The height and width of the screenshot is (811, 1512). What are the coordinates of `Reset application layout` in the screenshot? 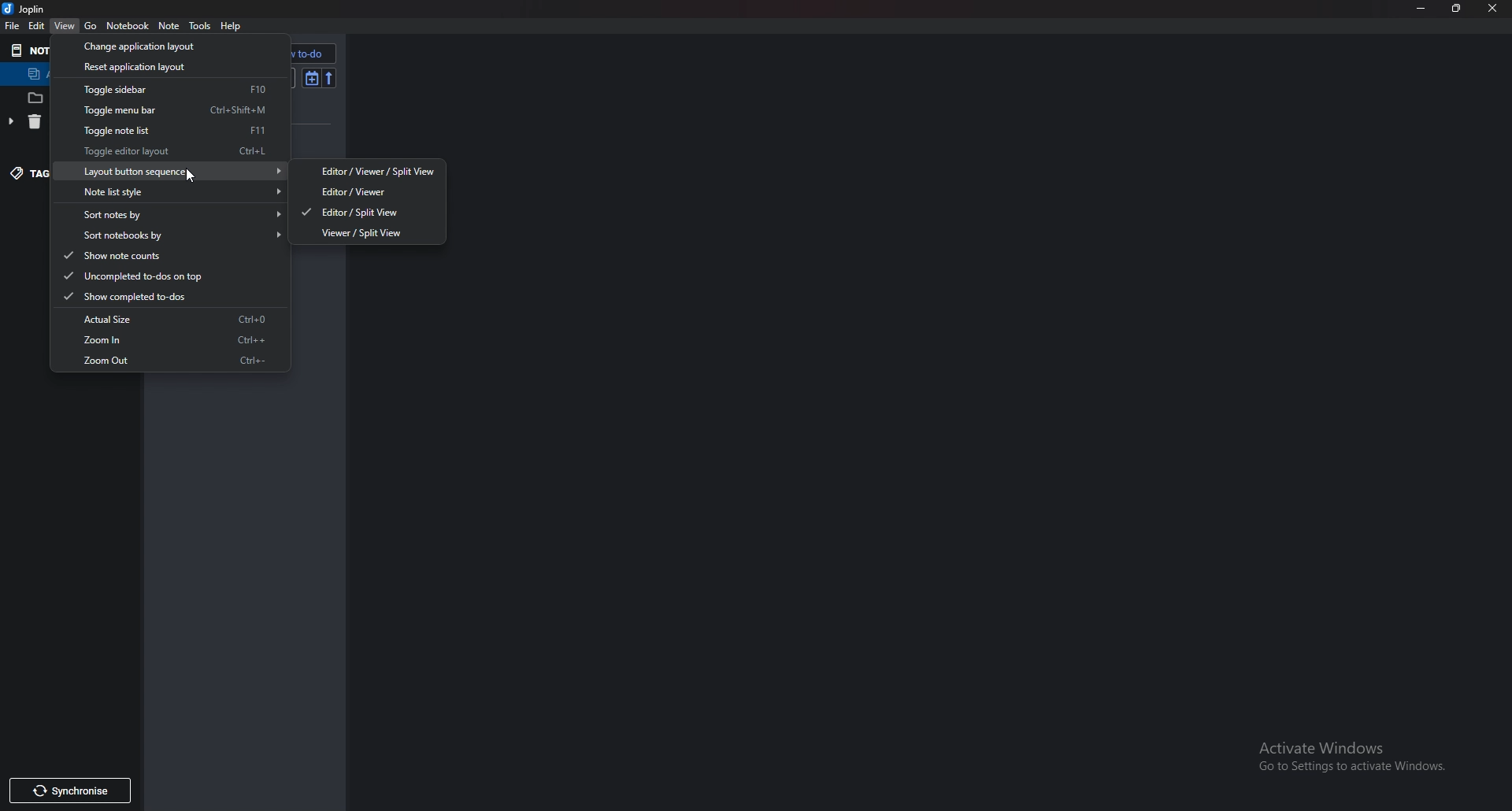 It's located at (161, 68).